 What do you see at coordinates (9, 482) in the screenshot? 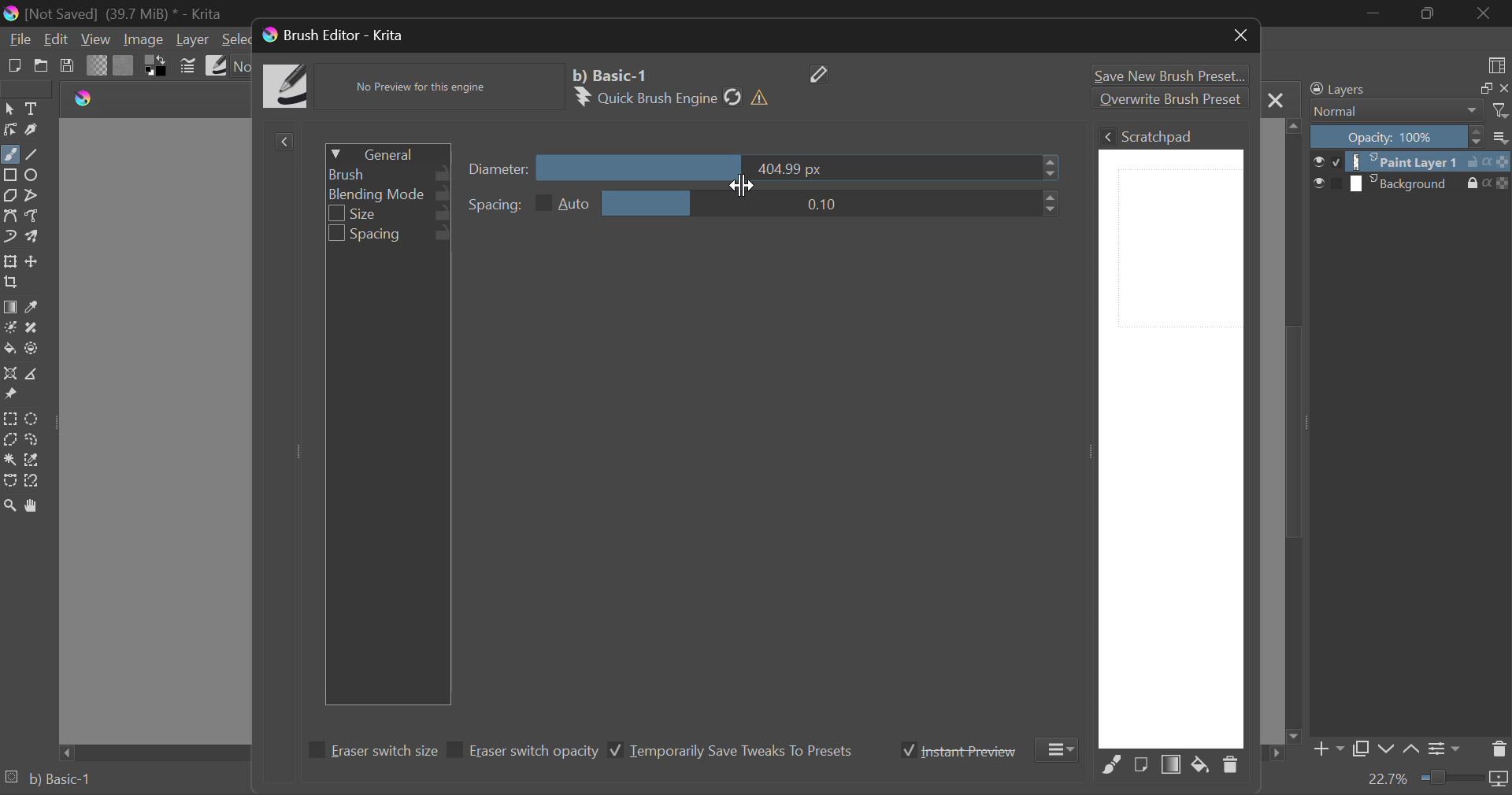
I see `Bezier Curve` at bounding box center [9, 482].